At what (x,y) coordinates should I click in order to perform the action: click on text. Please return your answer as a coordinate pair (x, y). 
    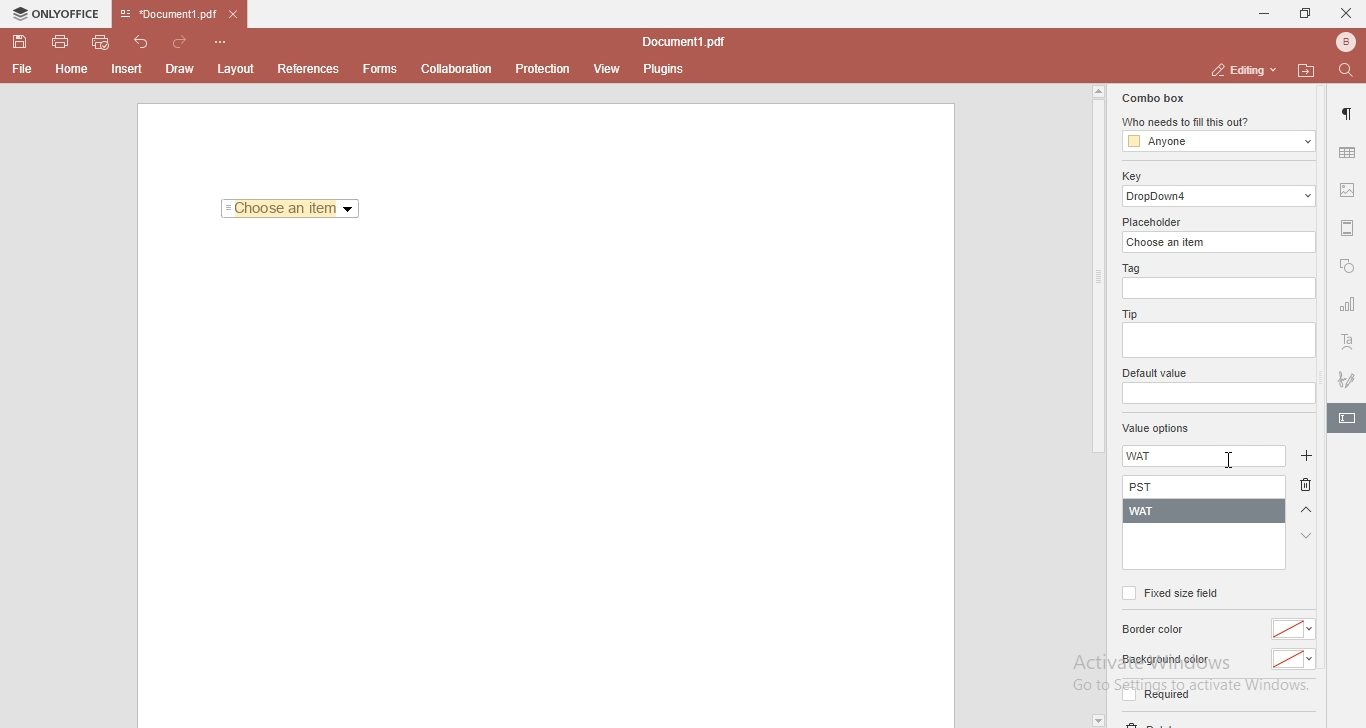
    Looking at the image, I should click on (1348, 343).